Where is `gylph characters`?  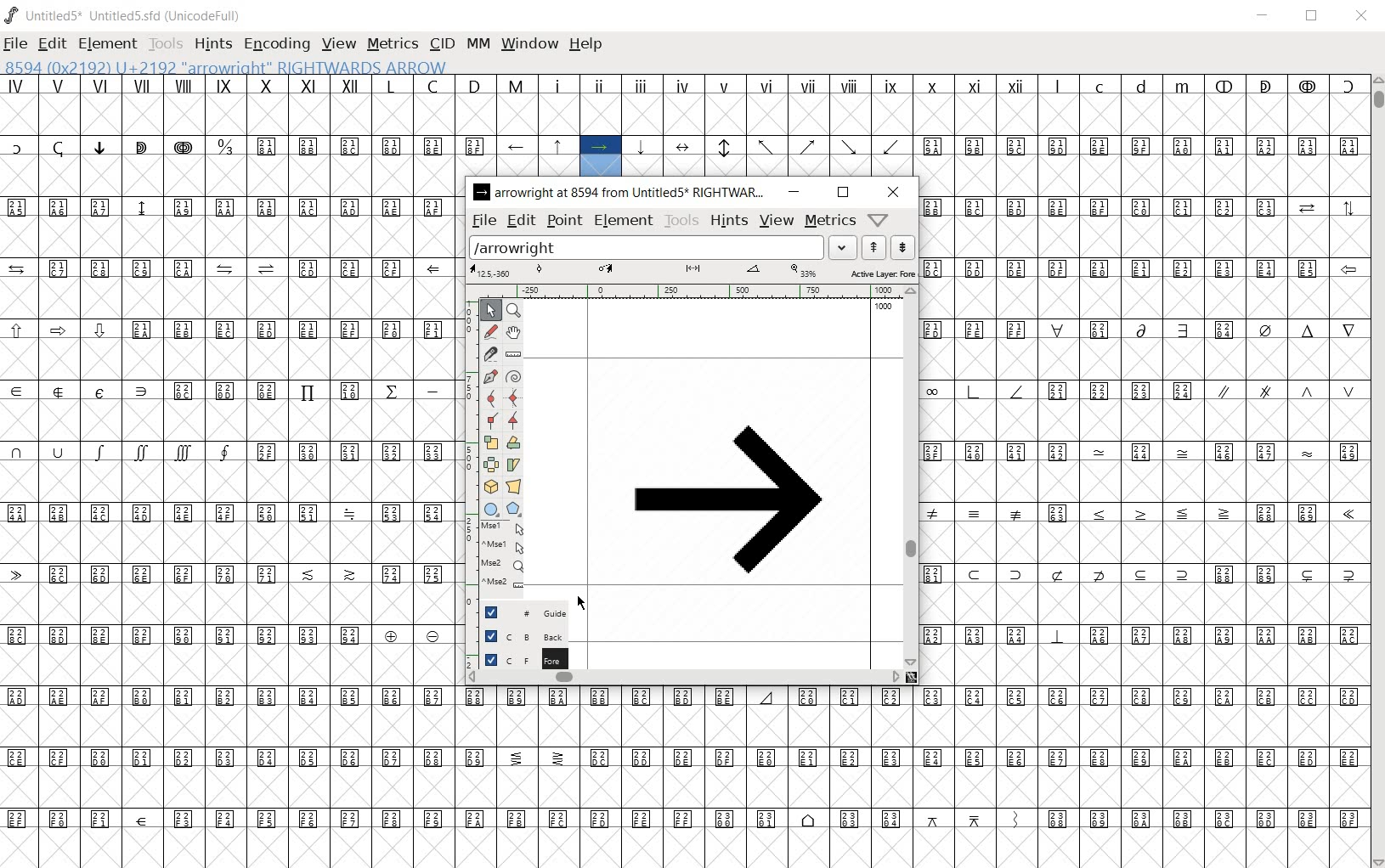 gylph characters is located at coordinates (522, 155).